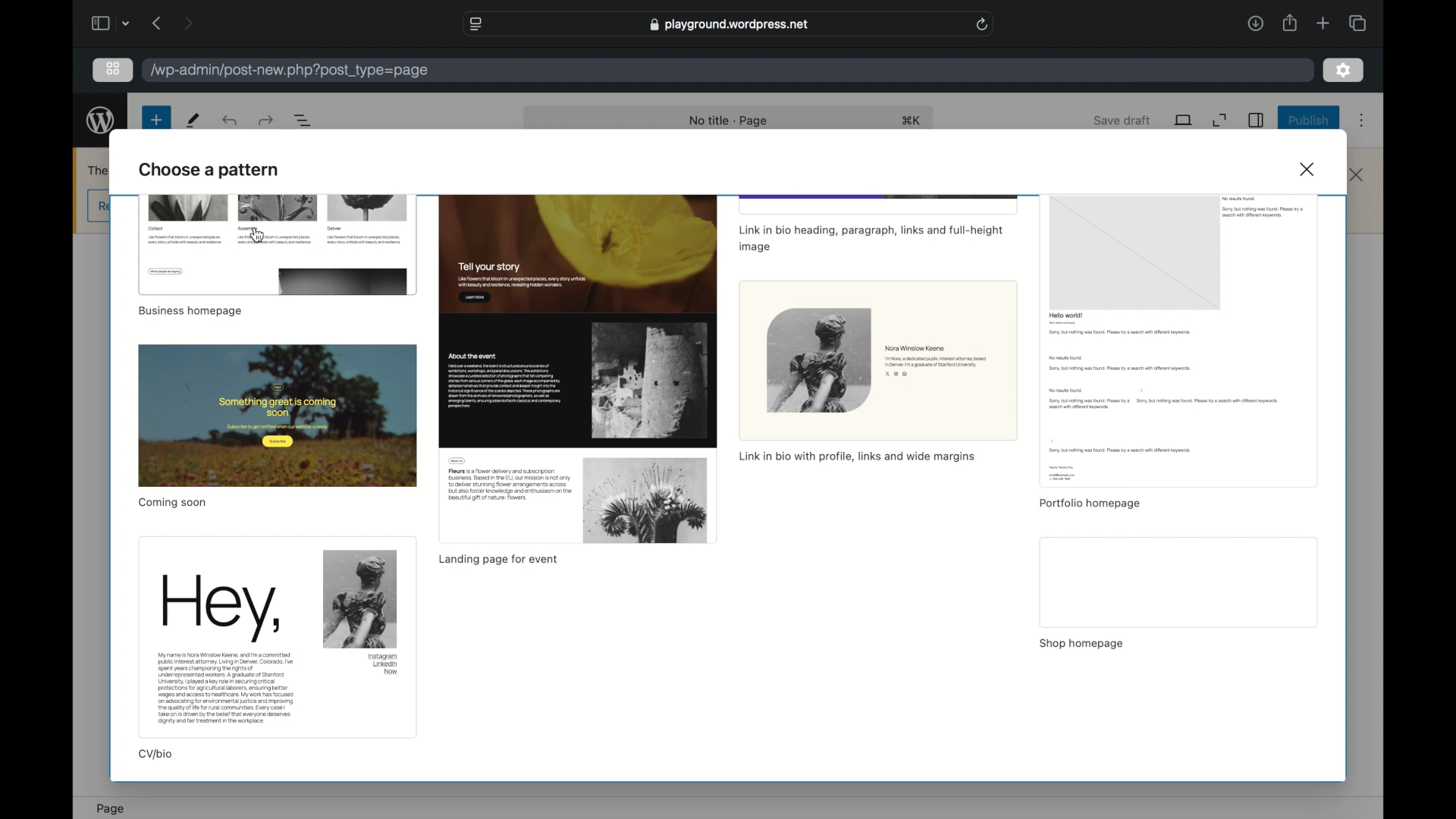 The image size is (1456, 819). I want to click on cv/bio, so click(158, 755).